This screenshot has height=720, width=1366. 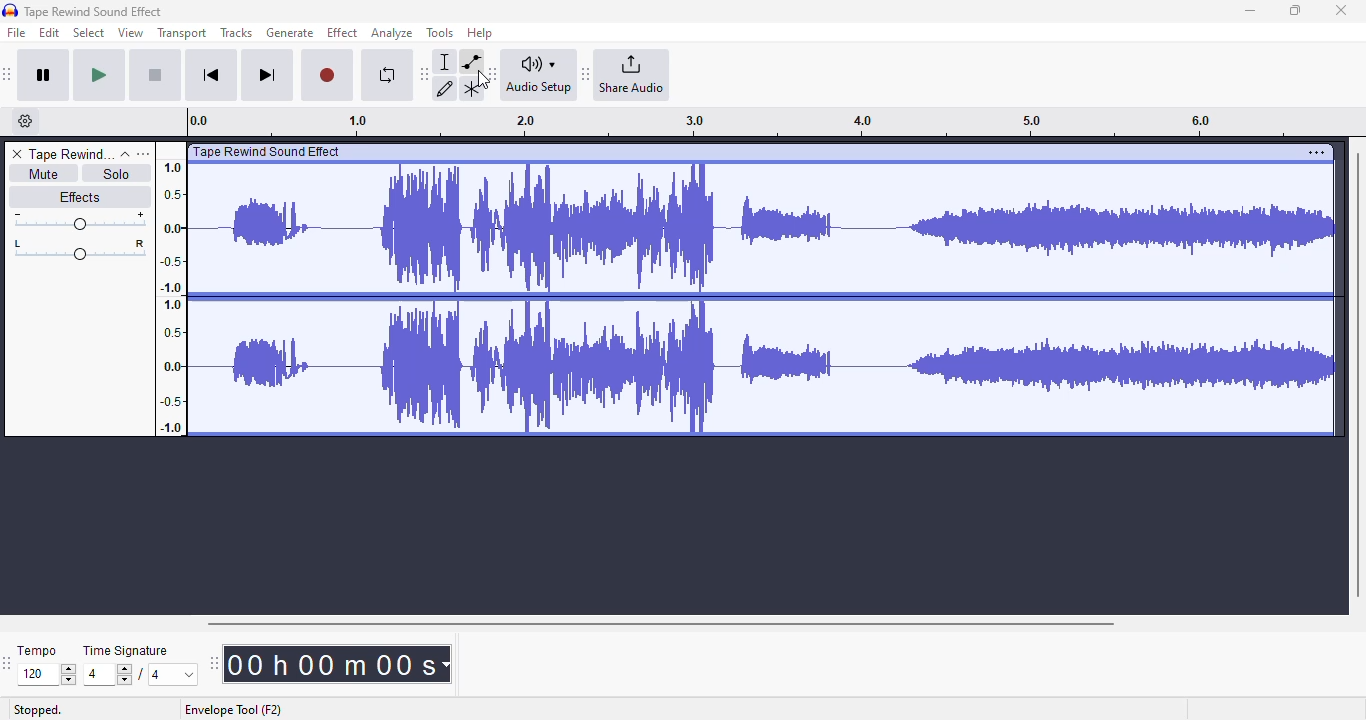 I want to click on settings, so click(x=1316, y=152).